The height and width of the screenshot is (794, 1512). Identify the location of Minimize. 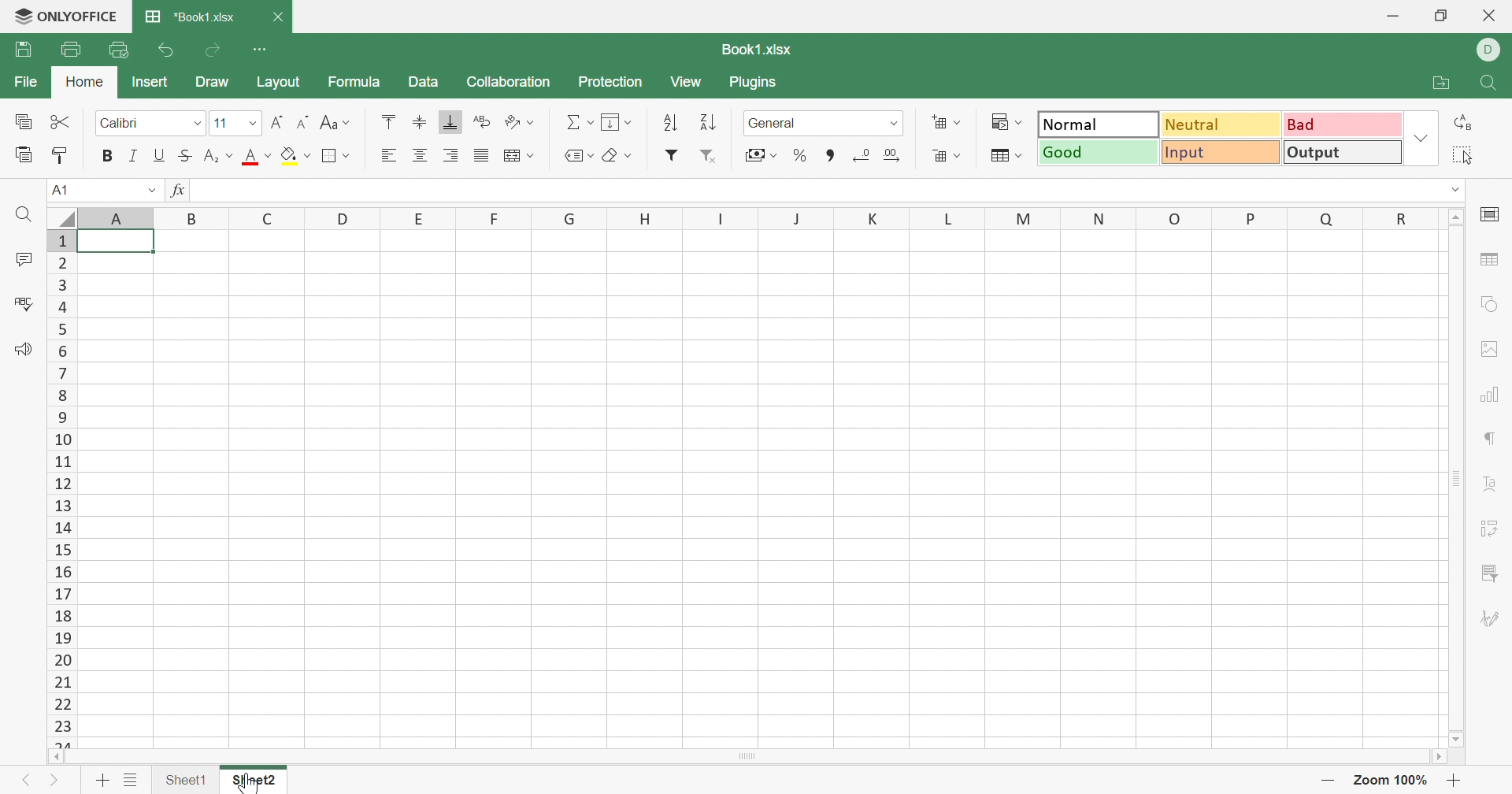
(1388, 16).